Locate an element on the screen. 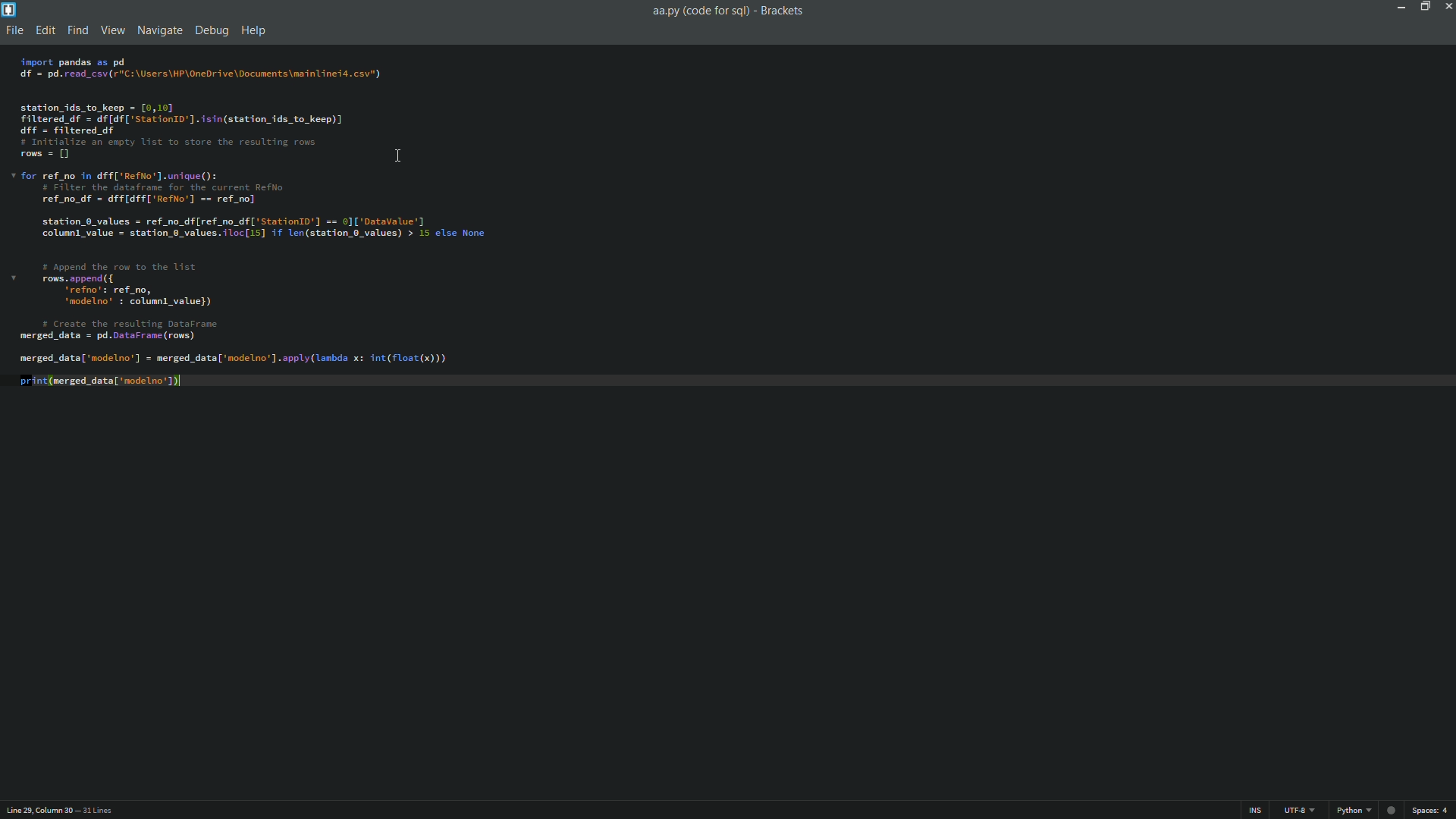  cursor position is located at coordinates (36, 810).